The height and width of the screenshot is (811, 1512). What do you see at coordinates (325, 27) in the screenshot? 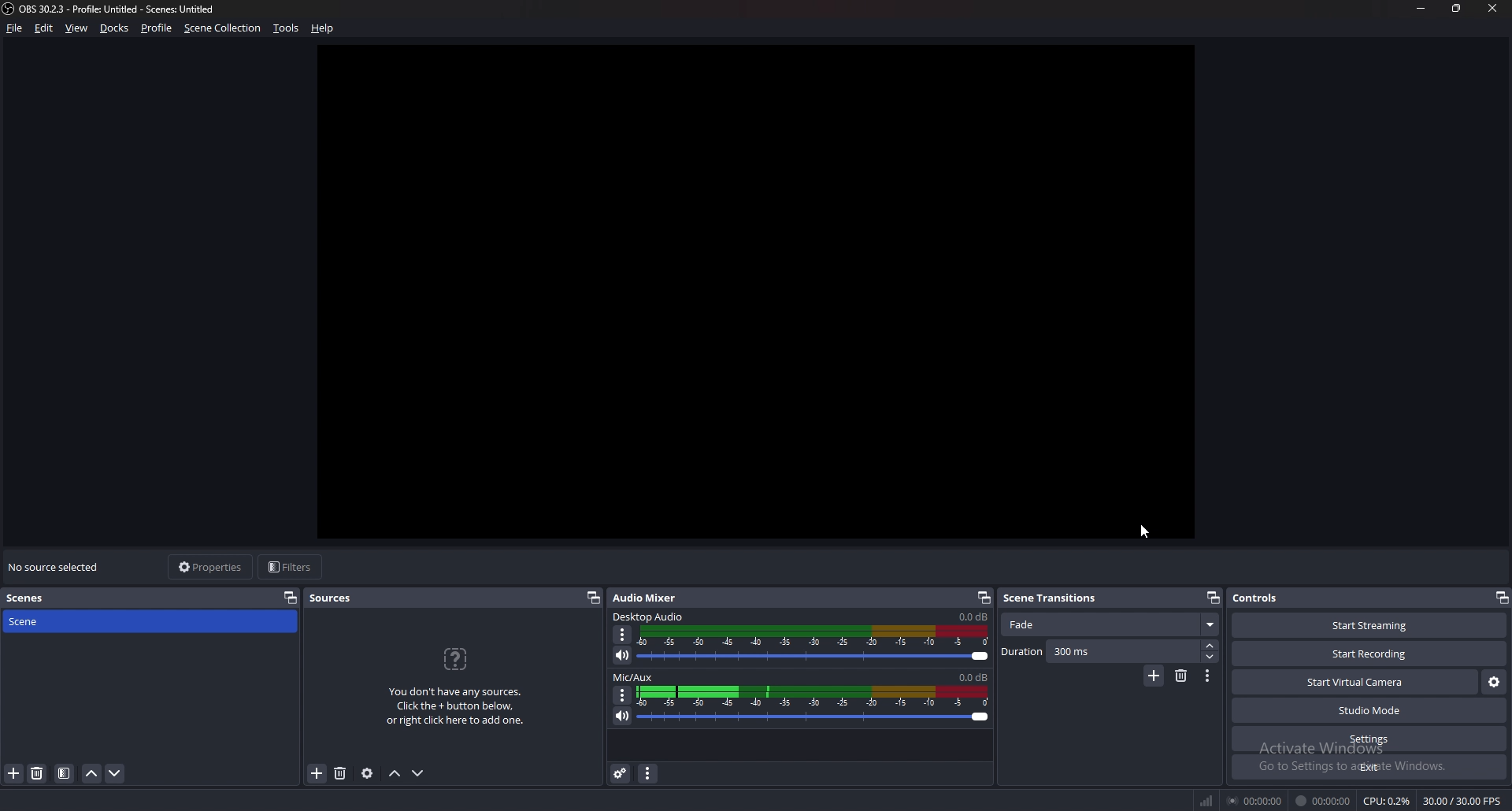
I see `help` at bounding box center [325, 27].